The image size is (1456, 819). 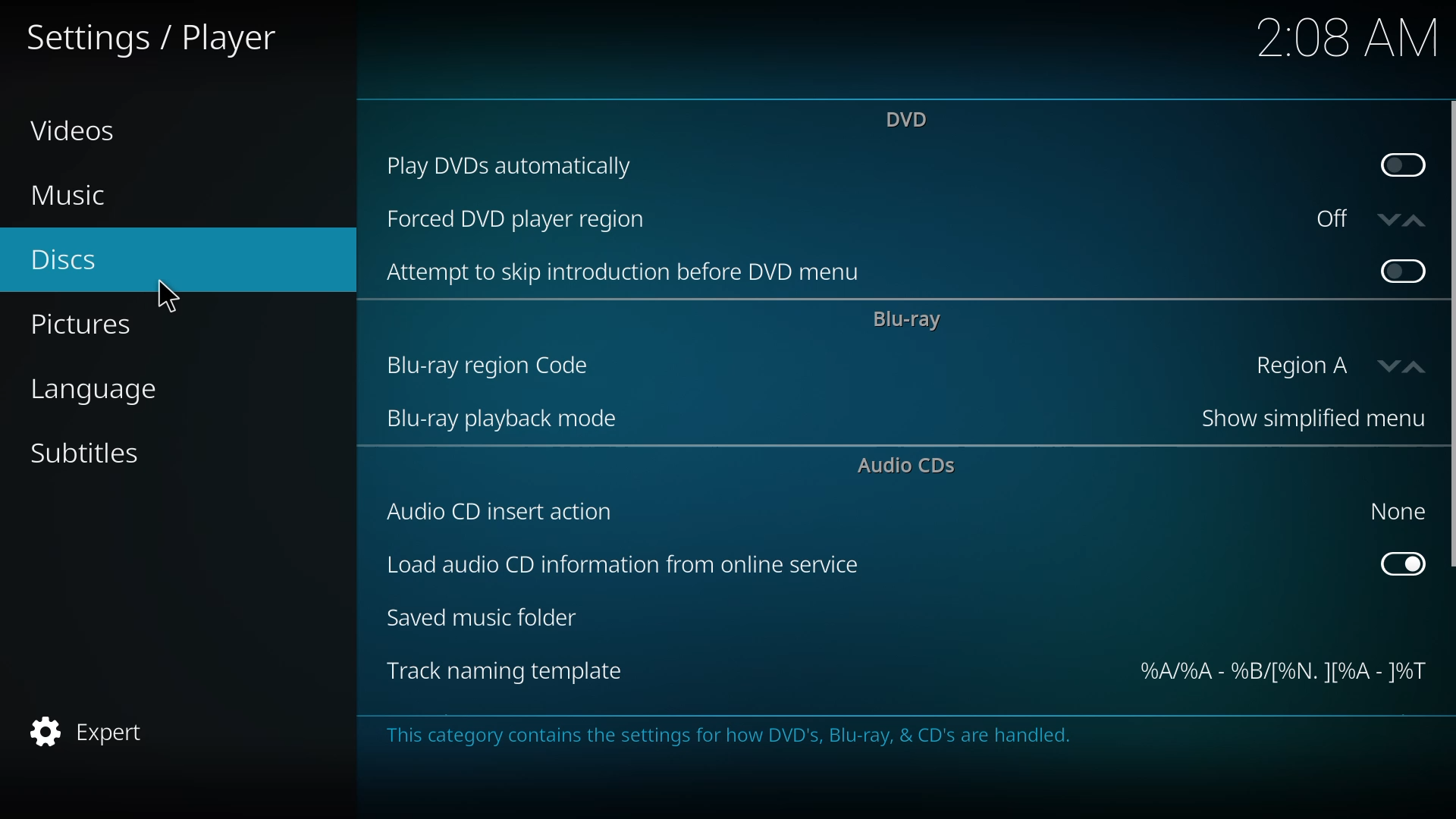 What do you see at coordinates (74, 130) in the screenshot?
I see `videos` at bounding box center [74, 130].